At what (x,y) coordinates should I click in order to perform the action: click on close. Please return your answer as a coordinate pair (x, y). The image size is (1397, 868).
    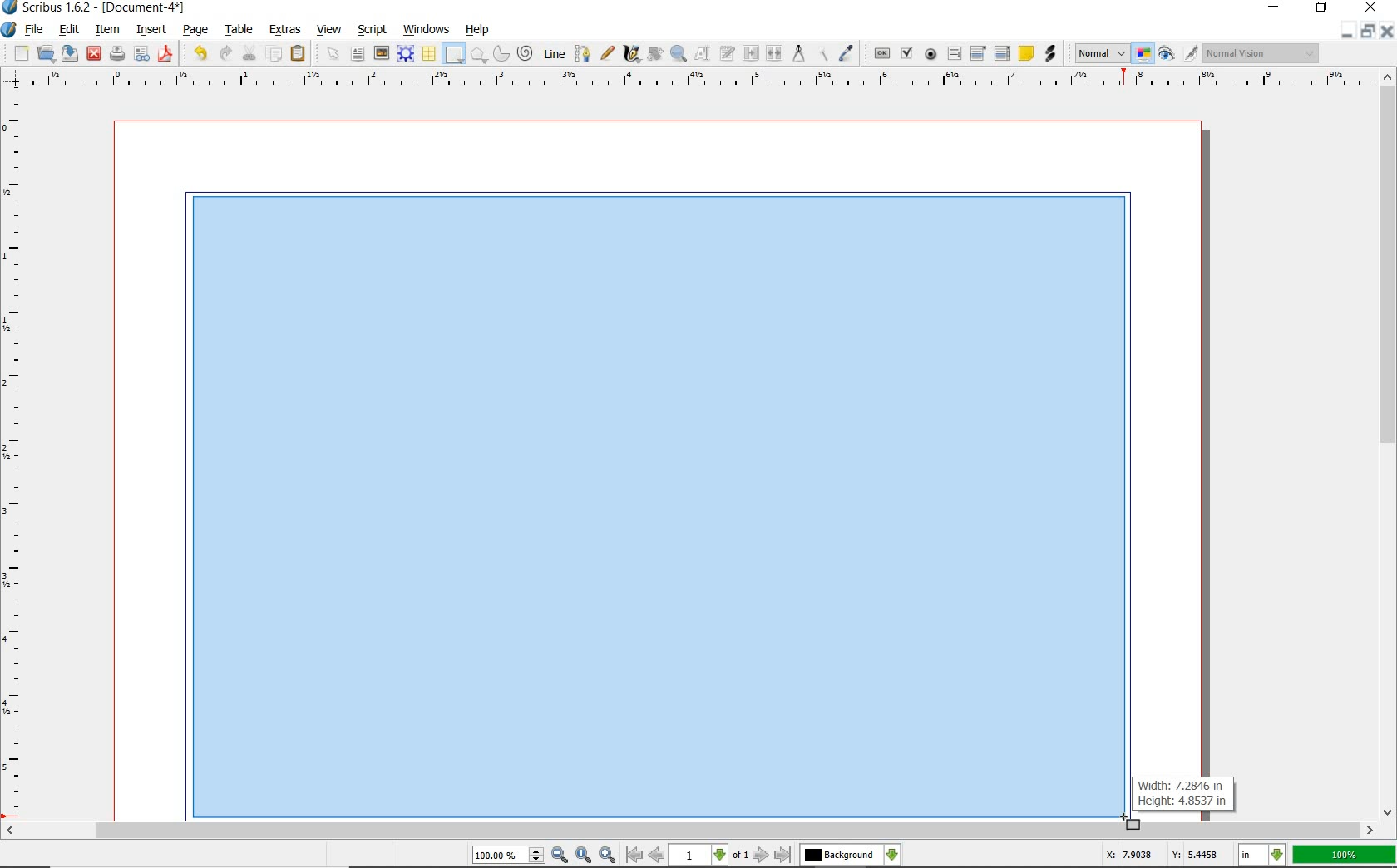
    Looking at the image, I should click on (1370, 8).